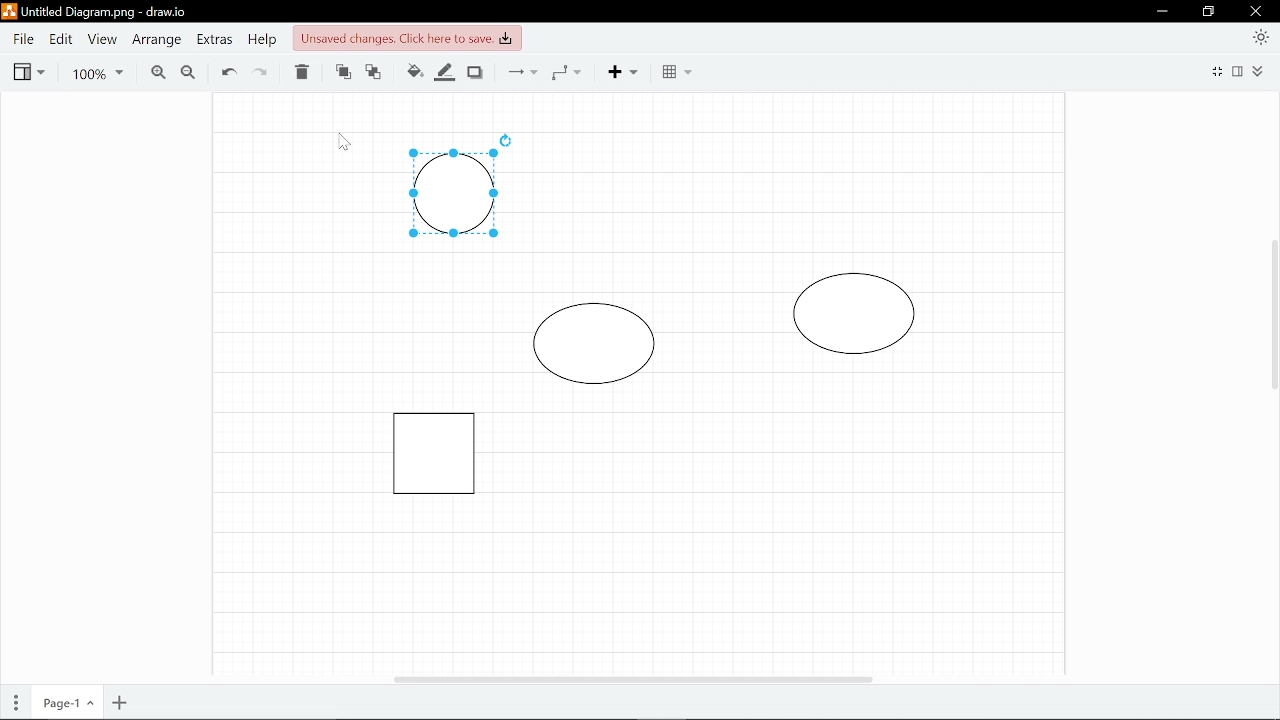 The width and height of the screenshot is (1280, 720). What do you see at coordinates (304, 73) in the screenshot?
I see `Delete` at bounding box center [304, 73].